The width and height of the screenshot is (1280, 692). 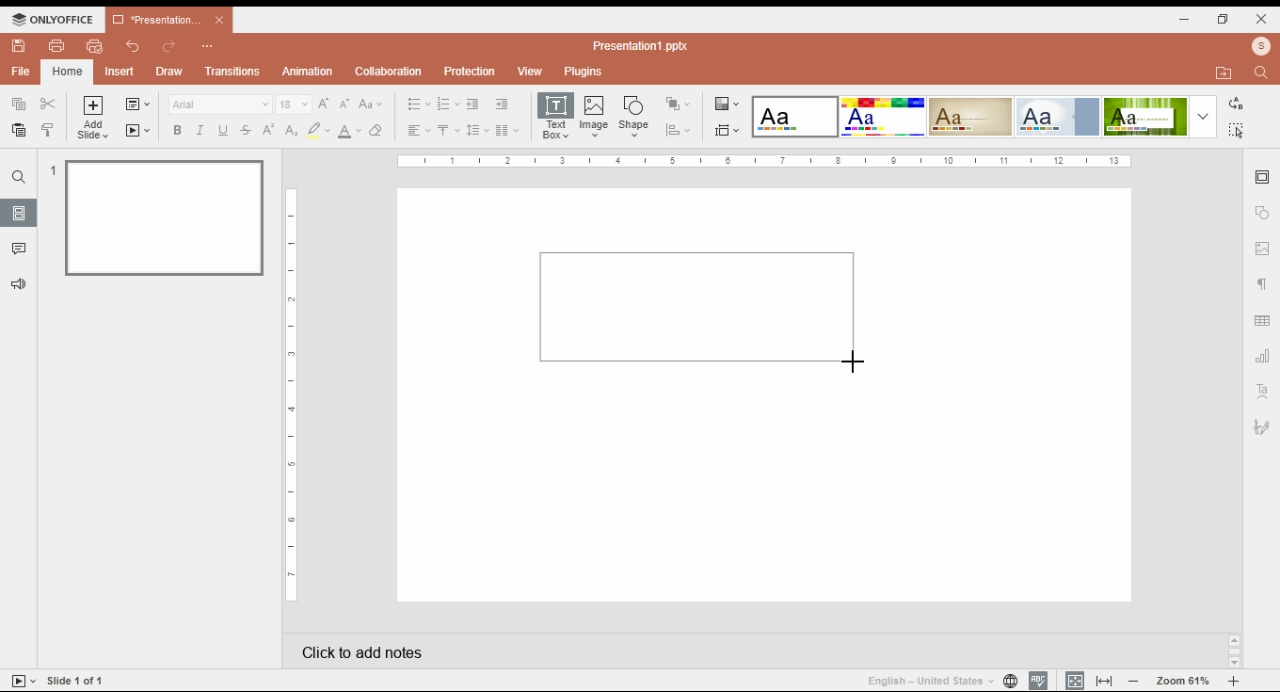 What do you see at coordinates (795, 117) in the screenshot?
I see `color theme` at bounding box center [795, 117].